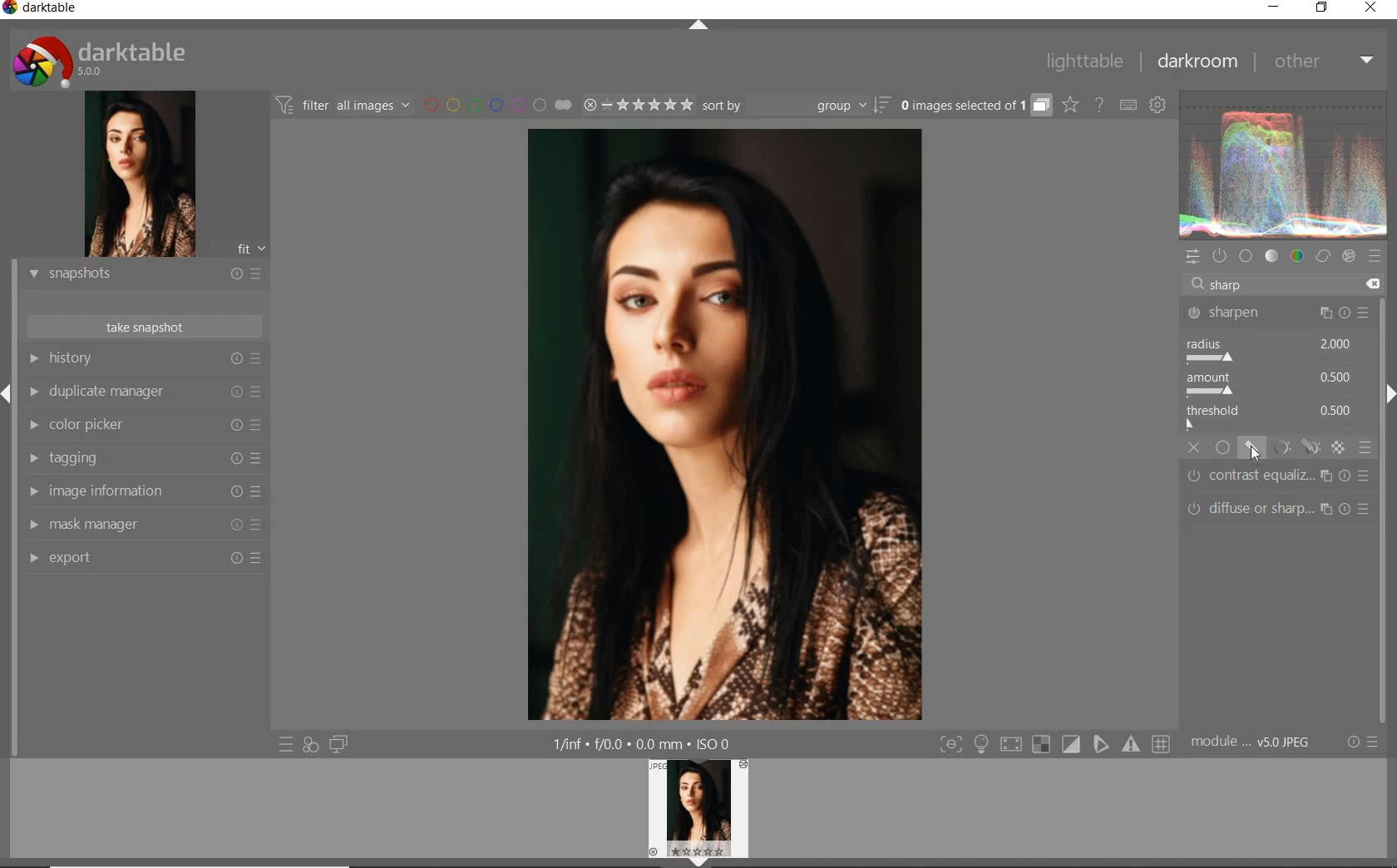 The image size is (1397, 868). Describe the element at coordinates (1293, 447) in the screenshot. I see `mask options` at that location.